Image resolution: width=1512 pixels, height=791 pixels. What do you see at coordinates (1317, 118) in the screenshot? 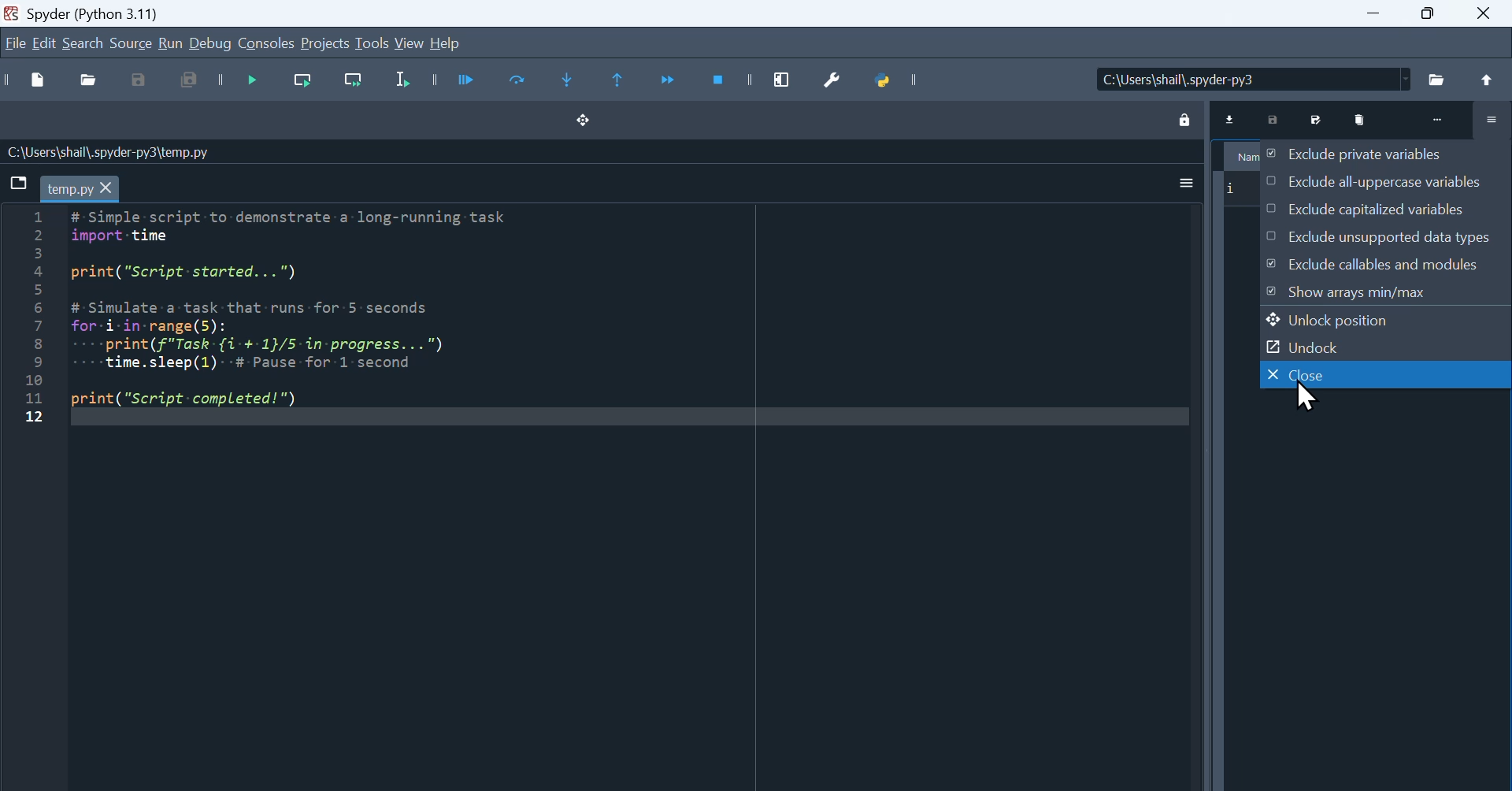
I see `Save data as` at bounding box center [1317, 118].